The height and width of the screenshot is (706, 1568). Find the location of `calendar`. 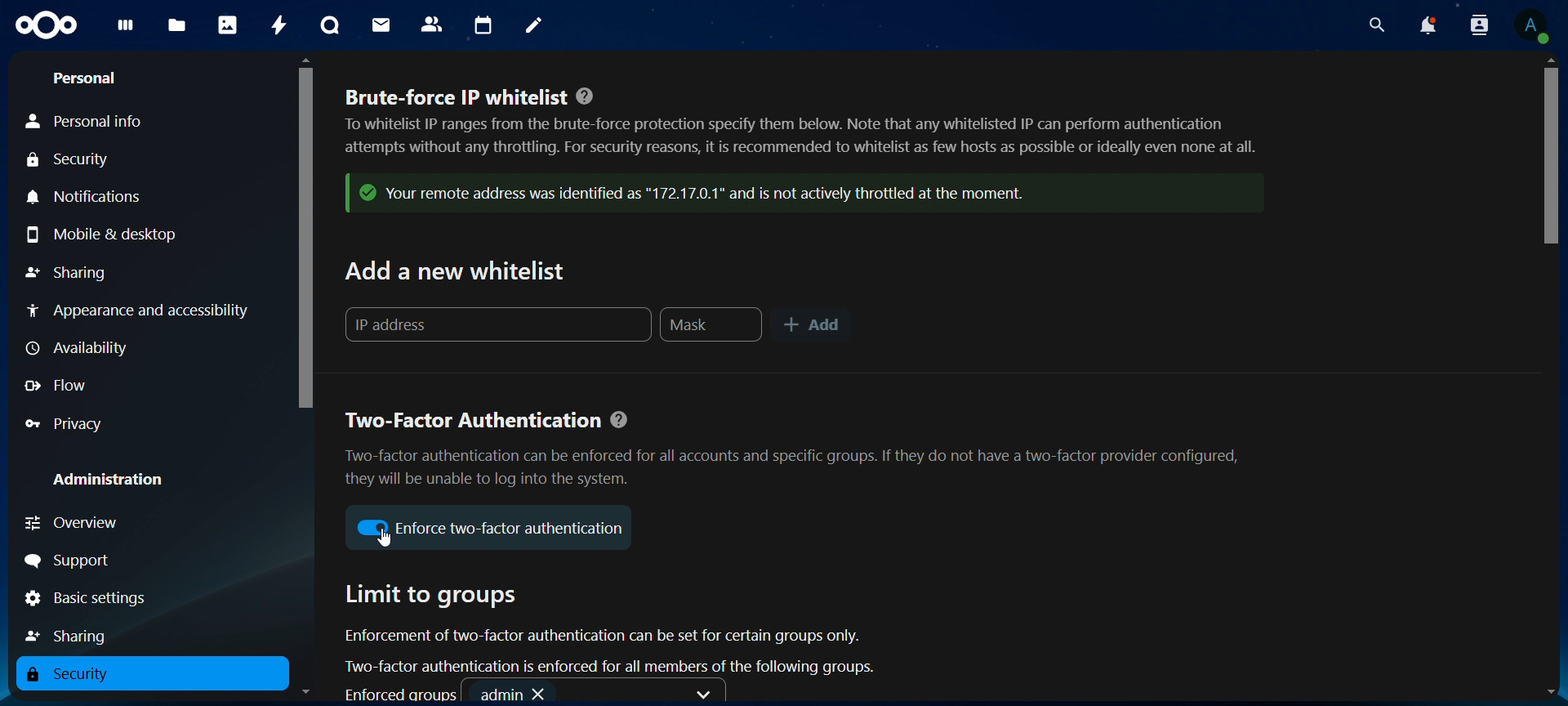

calendar is located at coordinates (483, 27).